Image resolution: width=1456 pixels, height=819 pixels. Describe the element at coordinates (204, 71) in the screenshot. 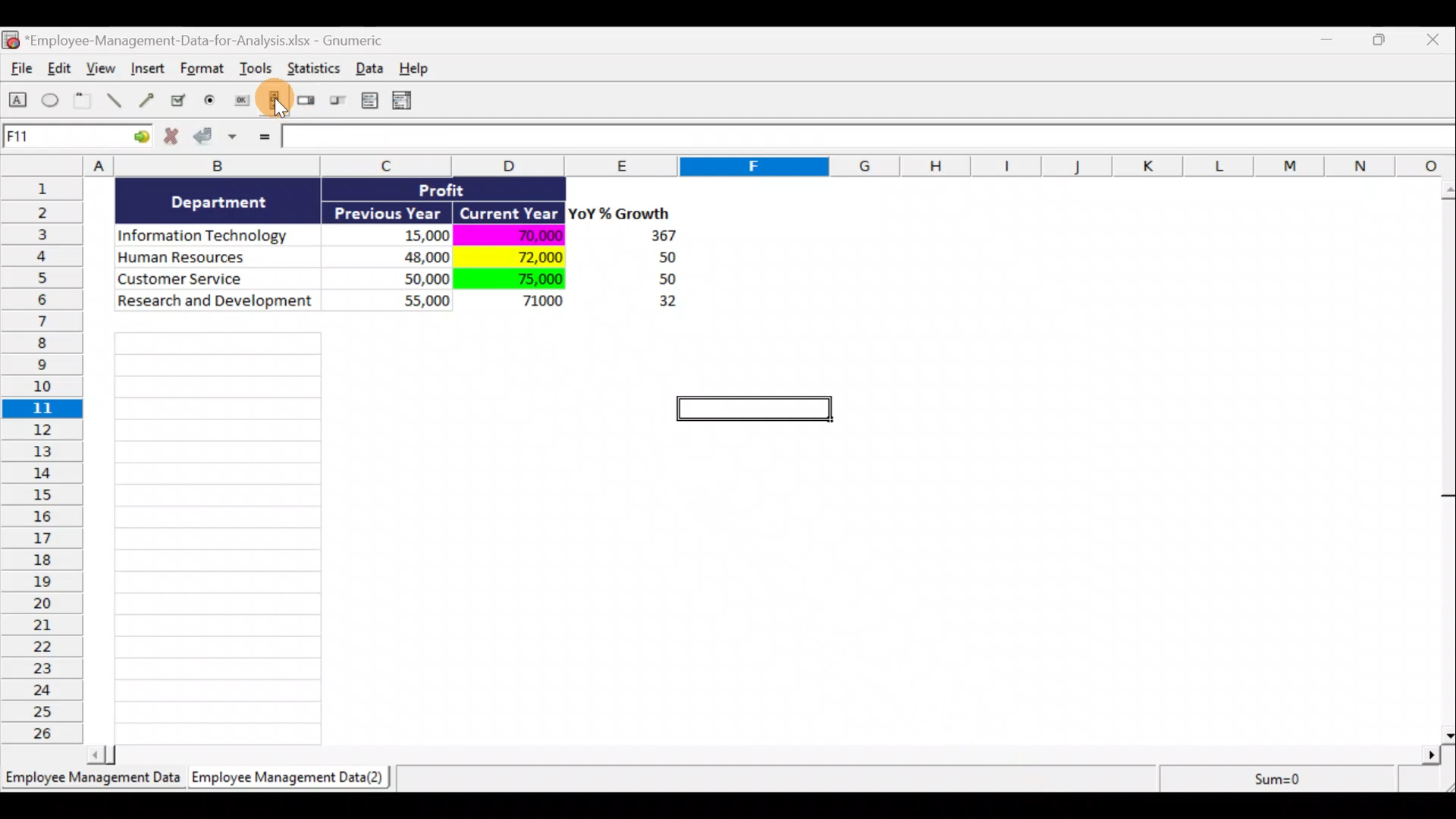

I see `Format` at that location.